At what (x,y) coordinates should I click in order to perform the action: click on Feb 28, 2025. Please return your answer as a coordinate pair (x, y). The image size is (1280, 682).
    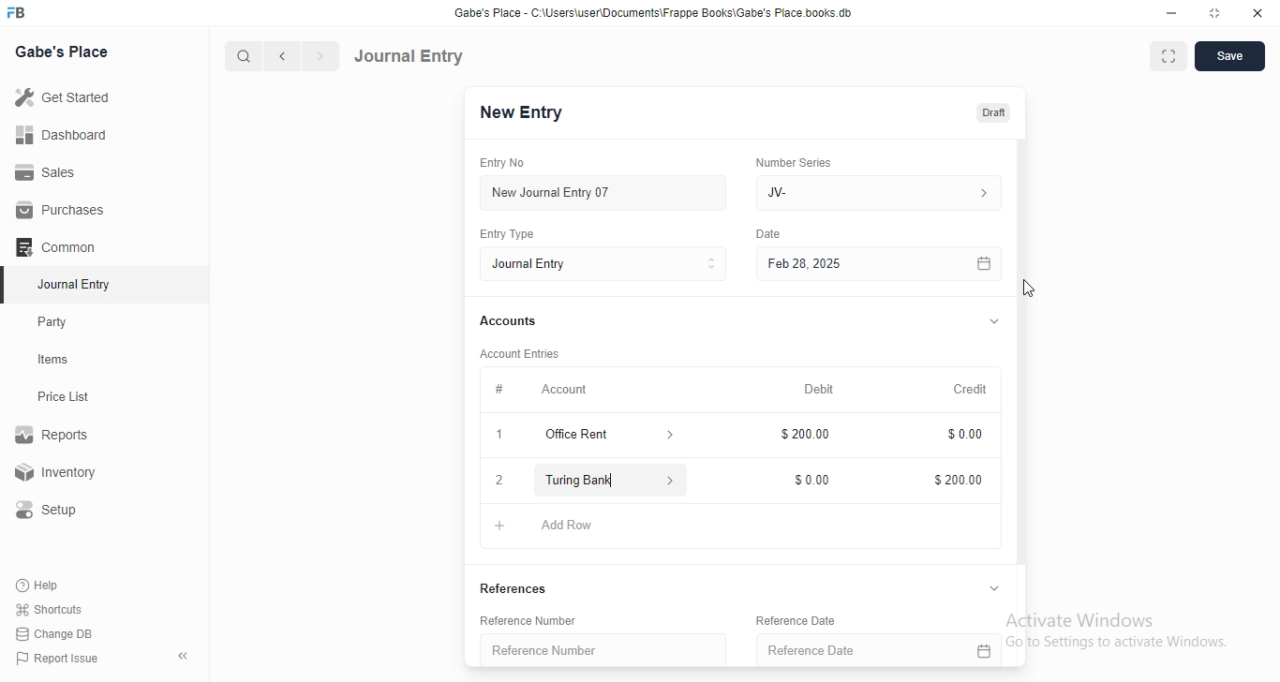
    Looking at the image, I should click on (880, 265).